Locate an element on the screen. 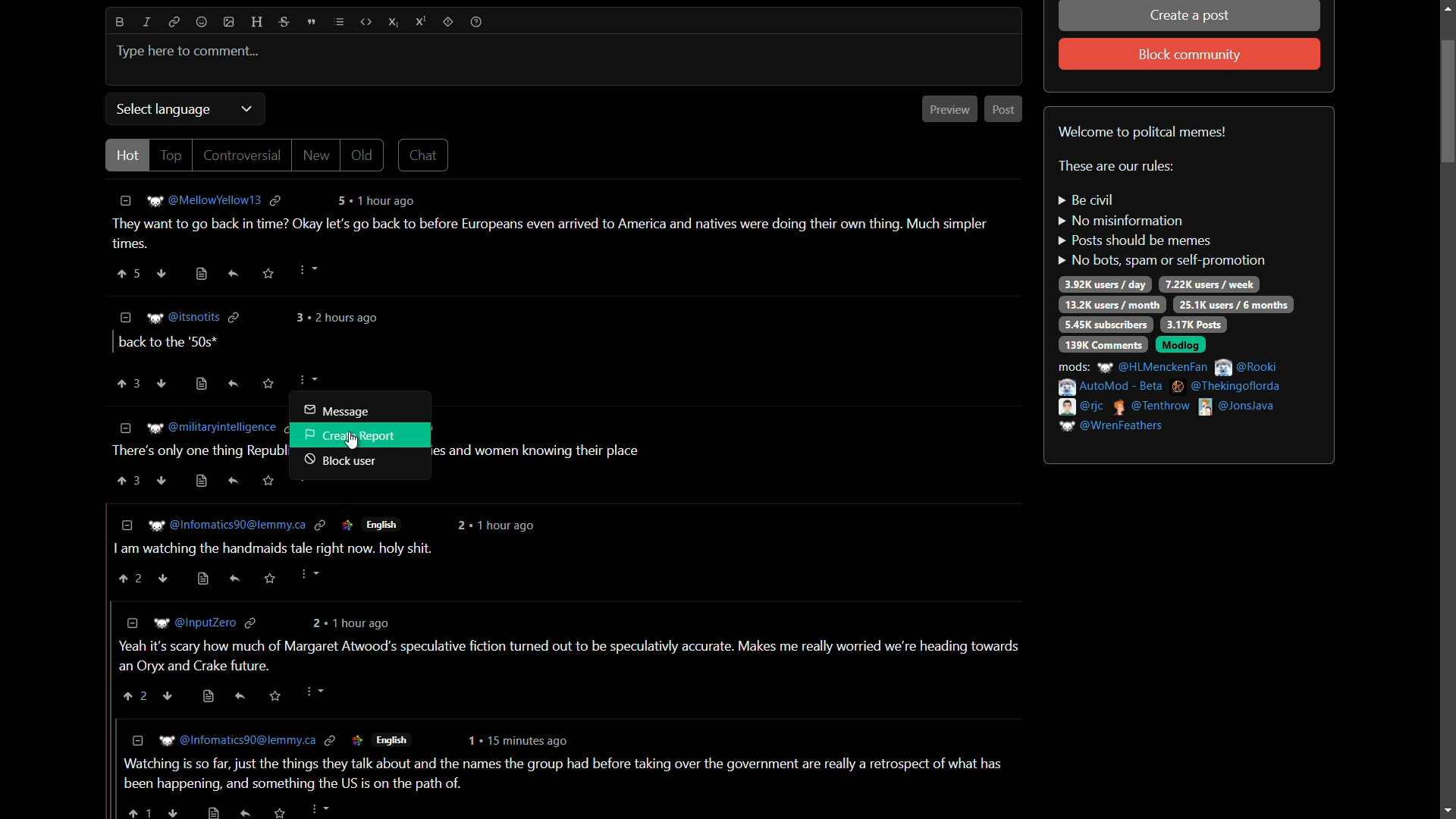  post is located at coordinates (1005, 110).